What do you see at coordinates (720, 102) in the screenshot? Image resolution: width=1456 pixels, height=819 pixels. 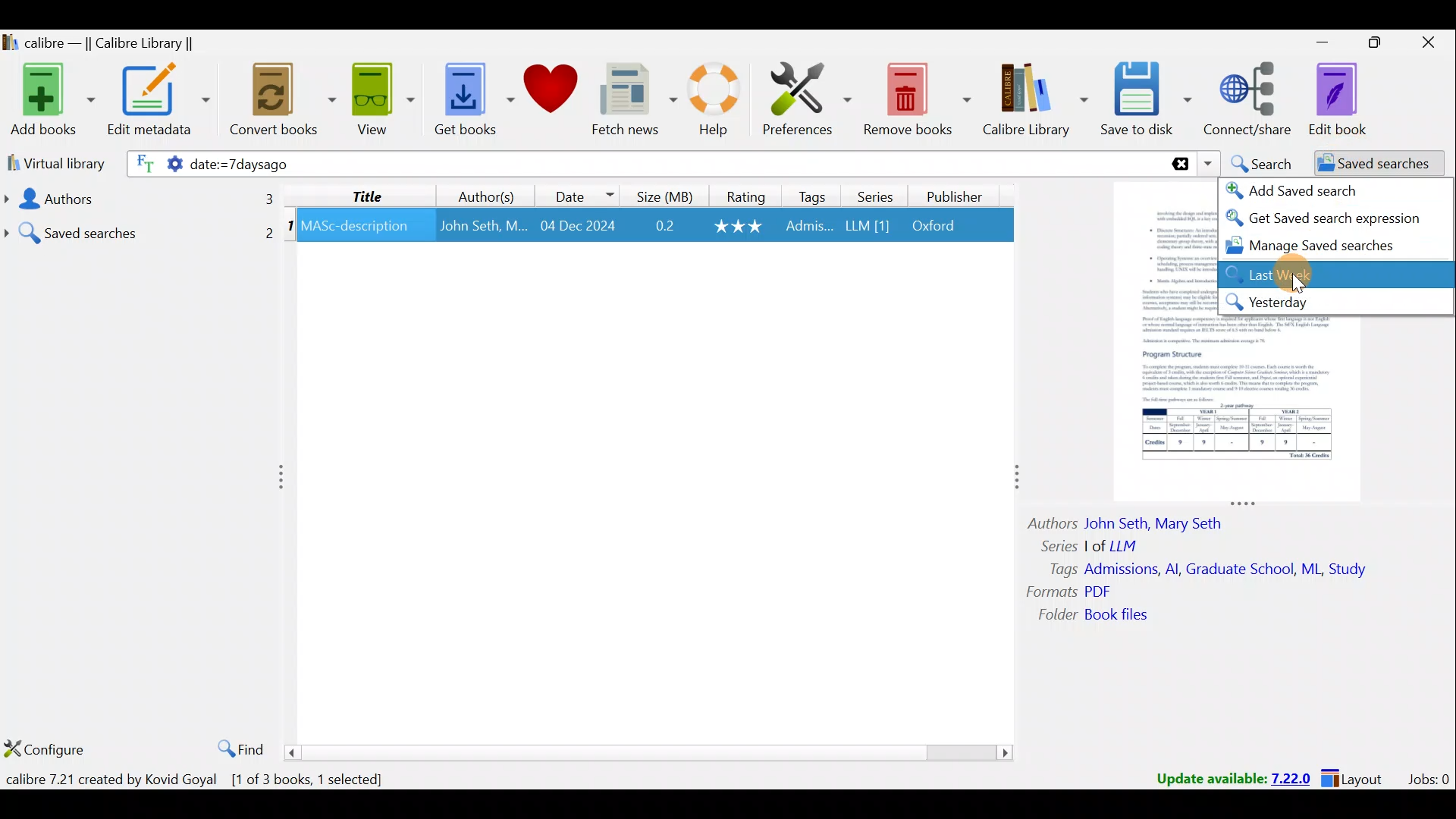 I see `Help` at bounding box center [720, 102].